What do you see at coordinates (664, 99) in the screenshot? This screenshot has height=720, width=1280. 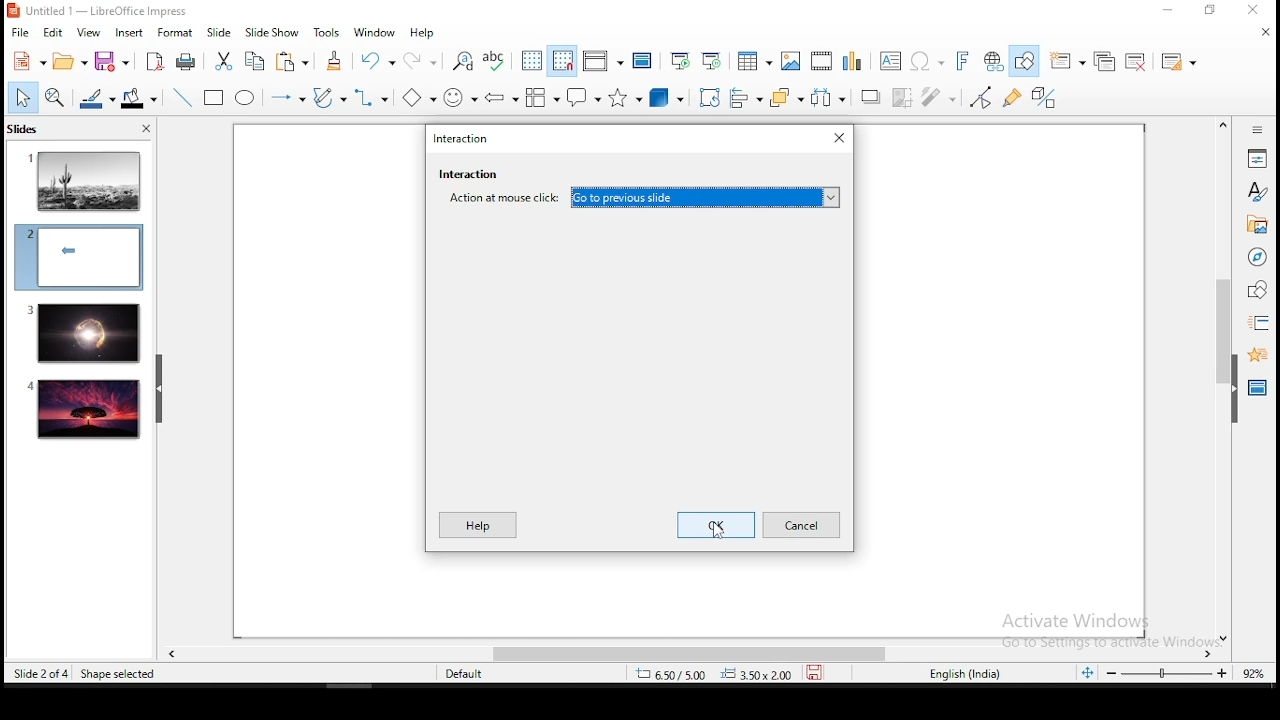 I see `3D objects` at bounding box center [664, 99].